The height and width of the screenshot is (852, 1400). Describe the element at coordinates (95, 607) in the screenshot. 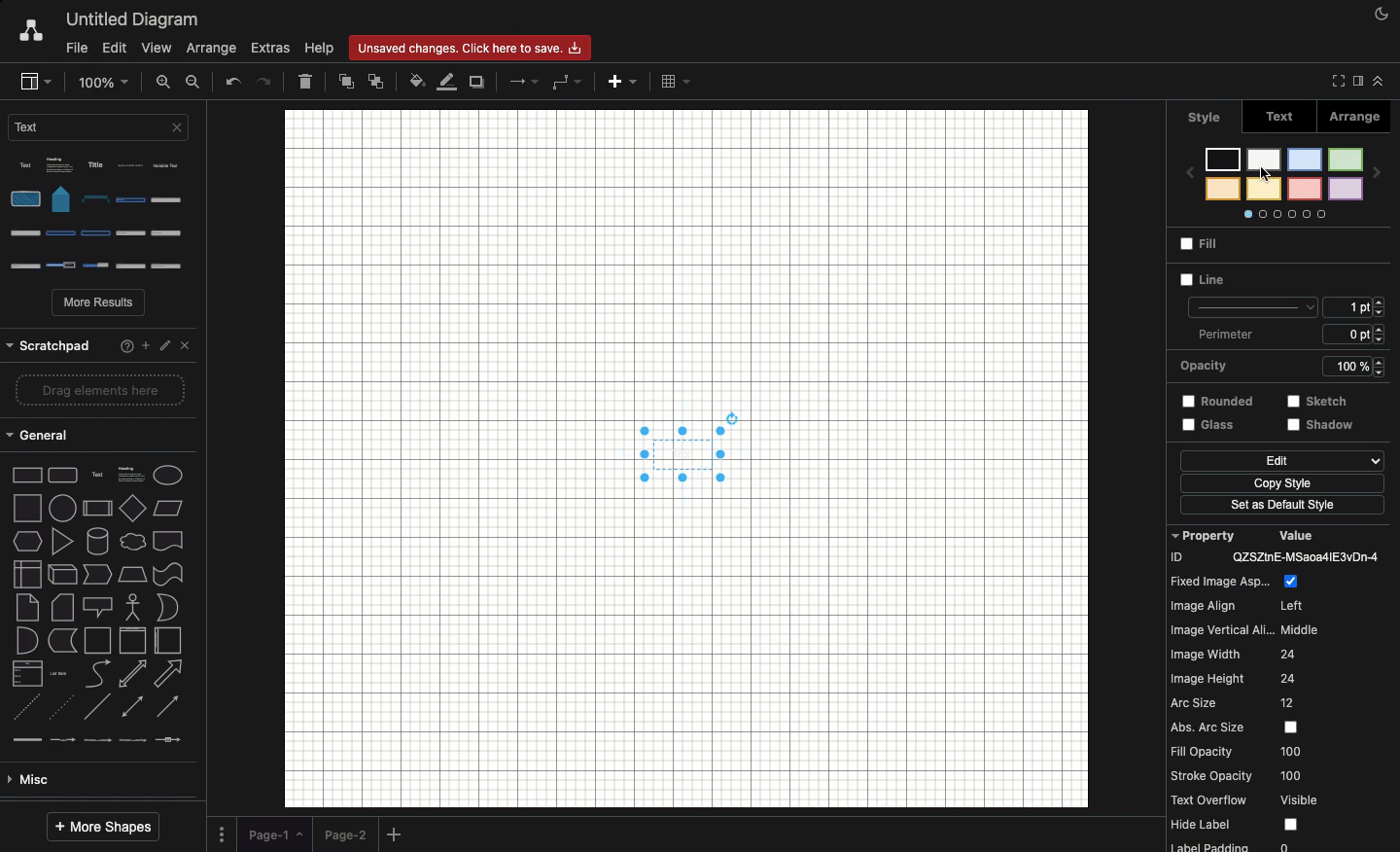

I see `Misc` at that location.